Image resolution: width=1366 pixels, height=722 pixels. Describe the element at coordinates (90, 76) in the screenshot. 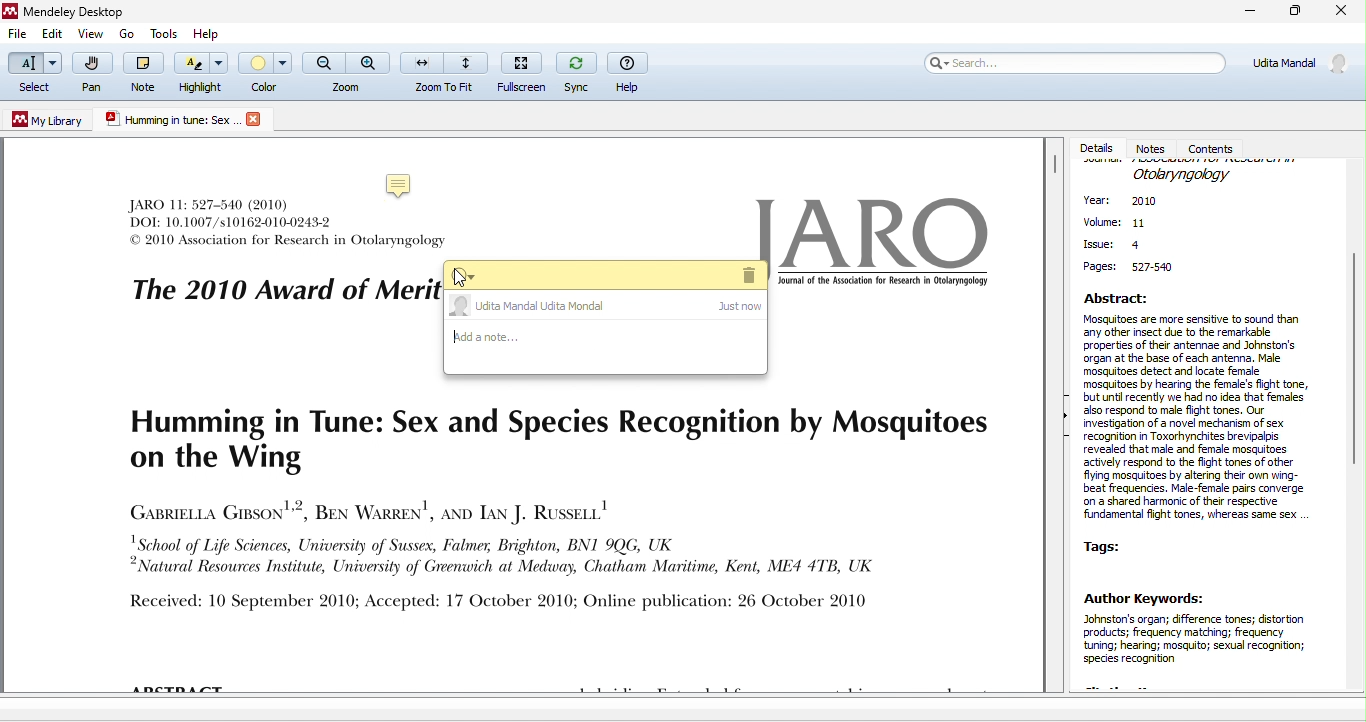

I see `pan` at that location.